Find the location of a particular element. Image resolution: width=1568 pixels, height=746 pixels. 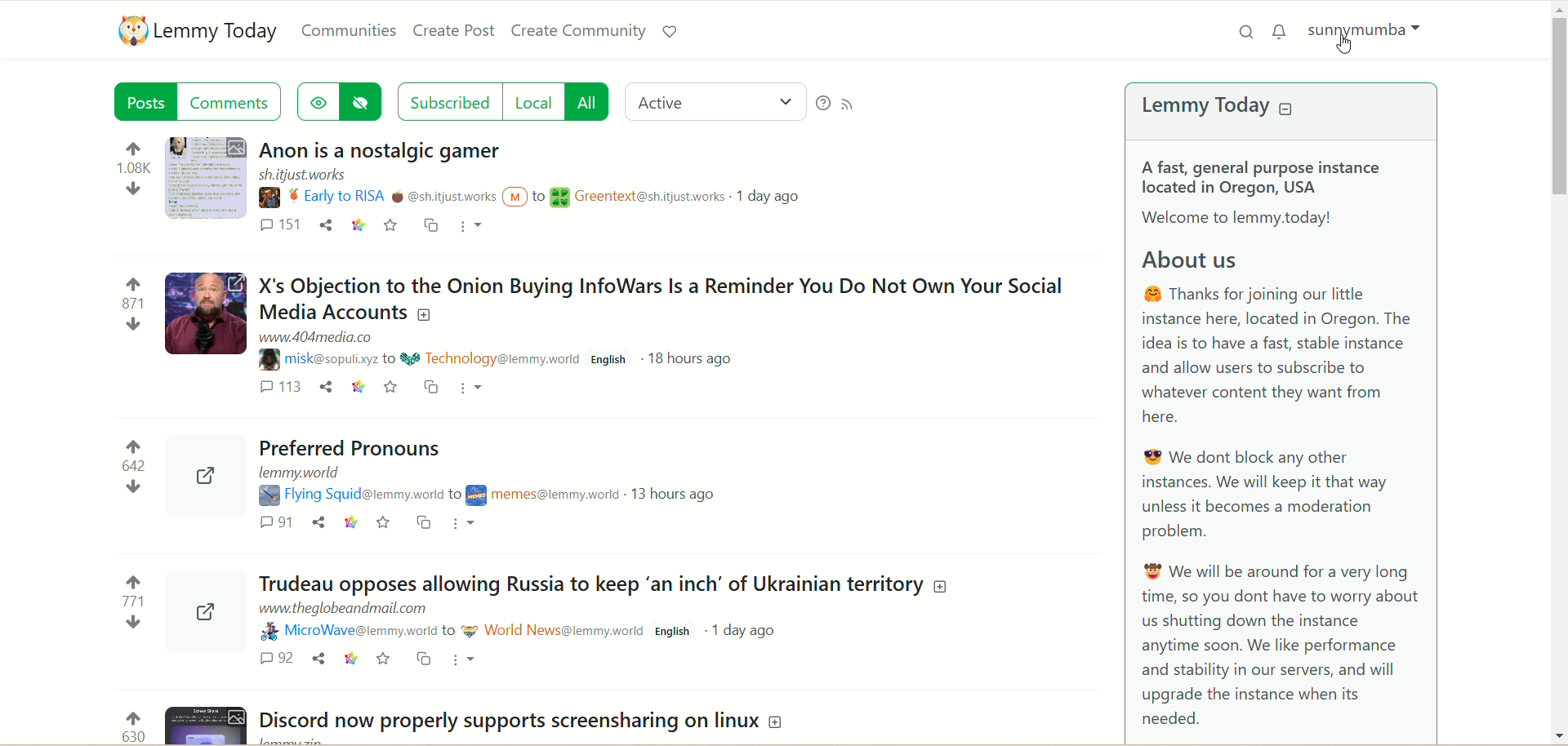

pointer is located at coordinates (1355, 50).